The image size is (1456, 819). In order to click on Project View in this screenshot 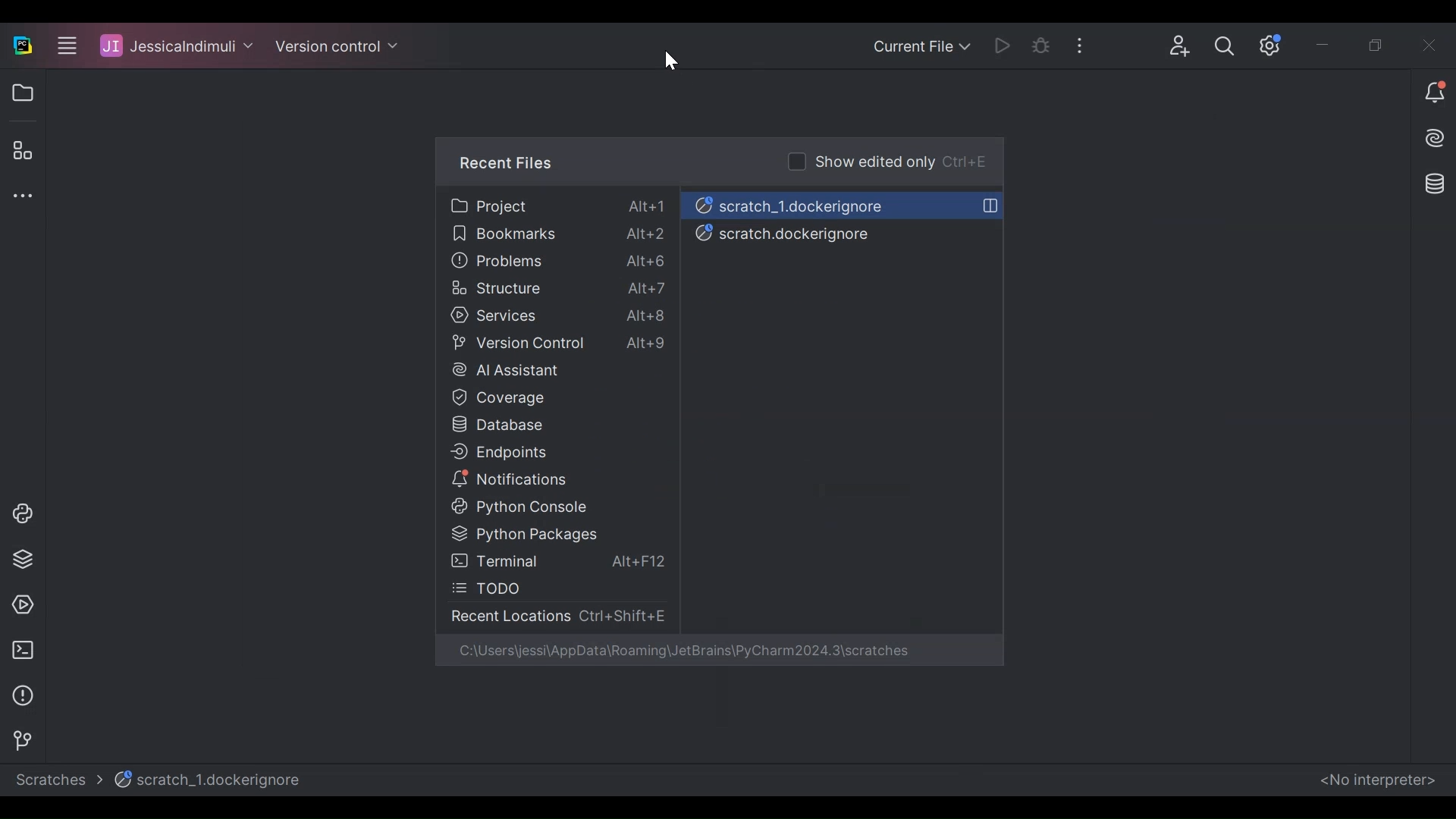, I will do `click(20, 92)`.